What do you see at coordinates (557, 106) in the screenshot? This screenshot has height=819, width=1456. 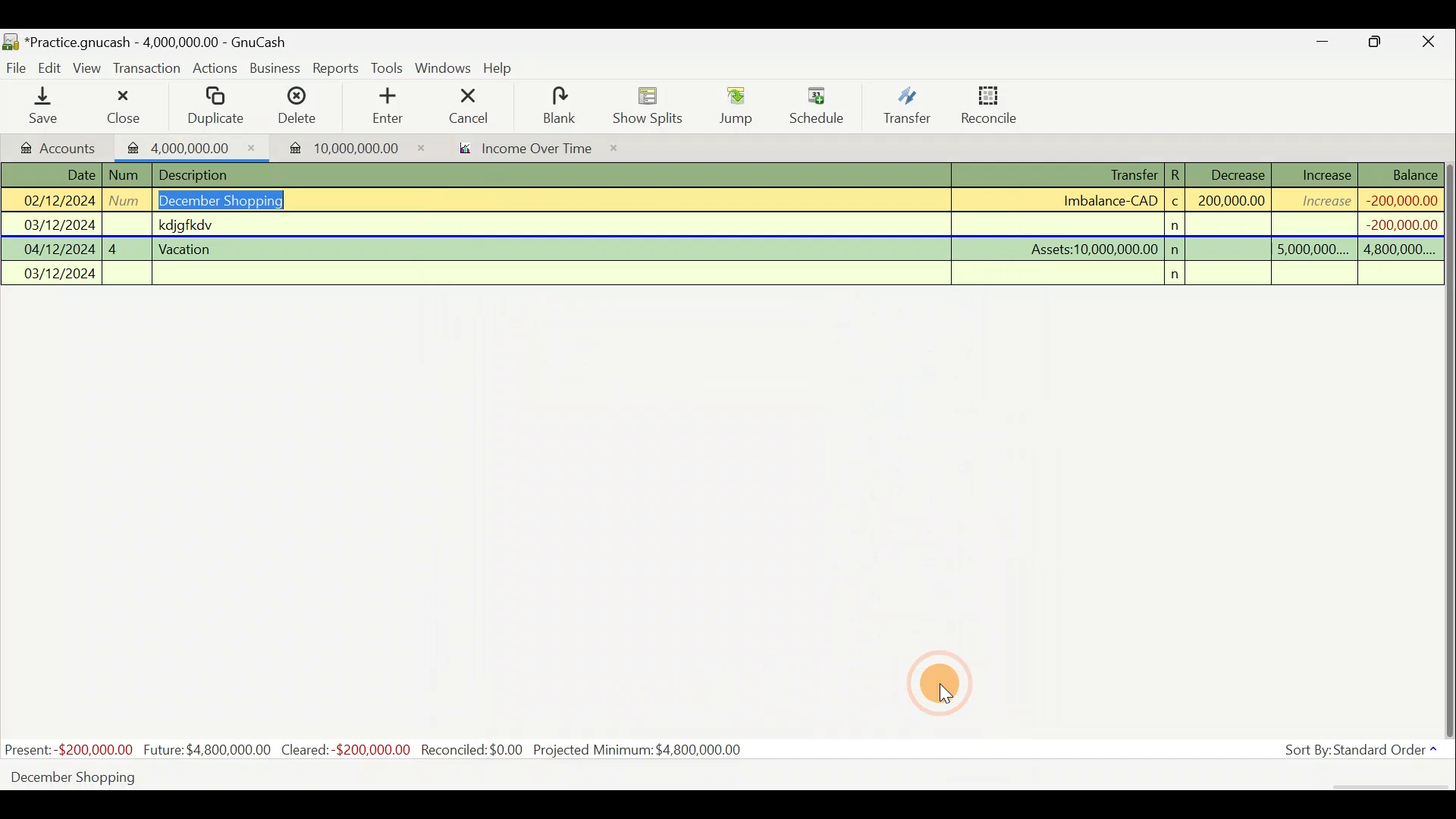 I see `Blank` at bounding box center [557, 106].